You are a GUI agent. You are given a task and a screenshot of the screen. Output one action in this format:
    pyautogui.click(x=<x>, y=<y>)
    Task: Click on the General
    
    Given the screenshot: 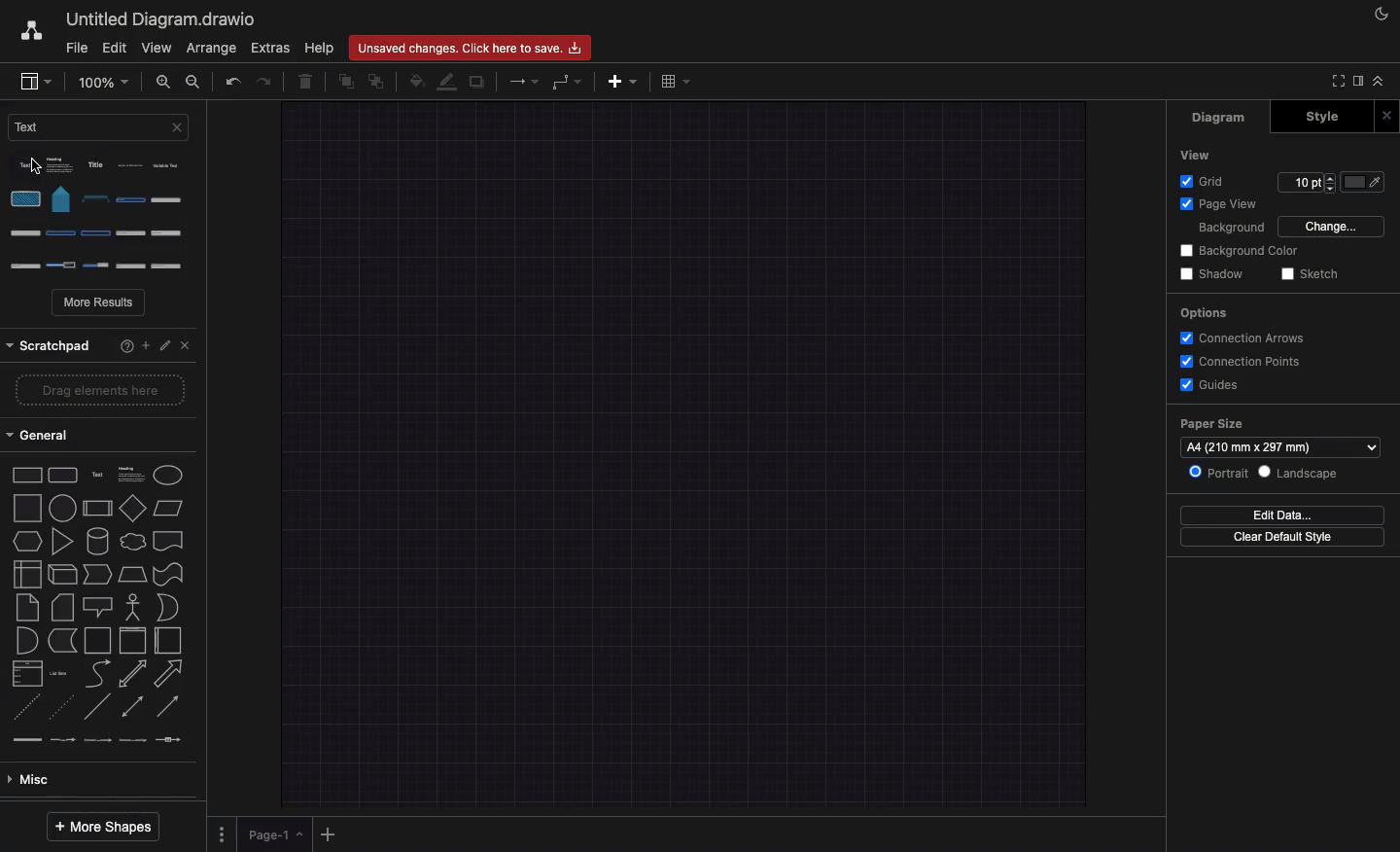 What is the action you would take?
    pyautogui.click(x=46, y=436)
    